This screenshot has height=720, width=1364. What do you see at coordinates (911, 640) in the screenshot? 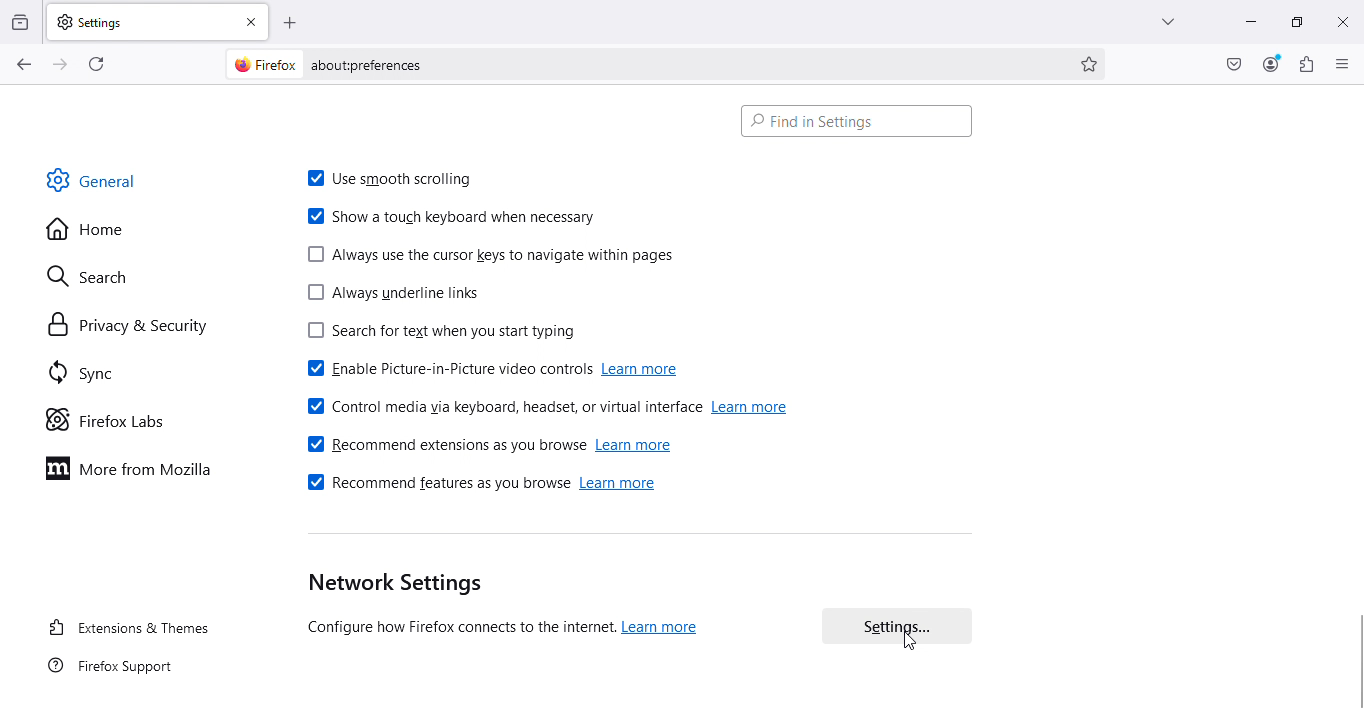
I see `Cursor` at bounding box center [911, 640].